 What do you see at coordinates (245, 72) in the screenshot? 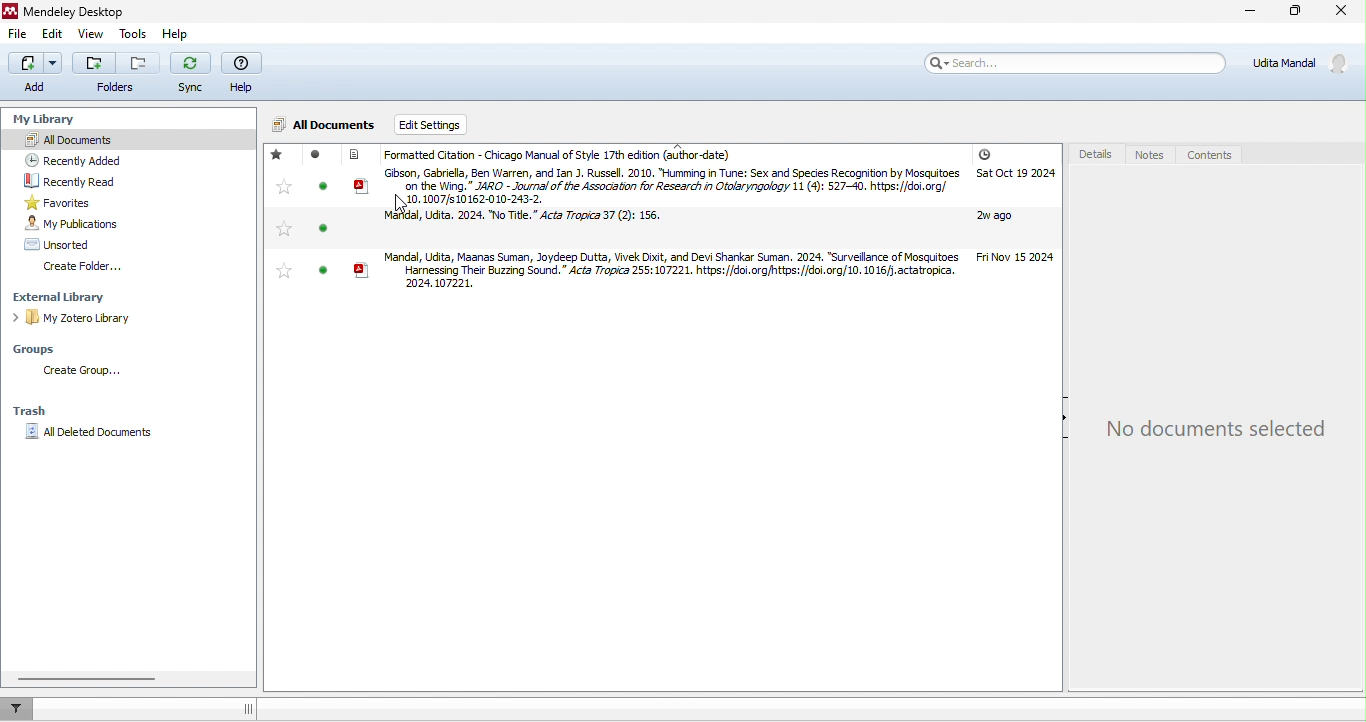
I see `help` at bounding box center [245, 72].